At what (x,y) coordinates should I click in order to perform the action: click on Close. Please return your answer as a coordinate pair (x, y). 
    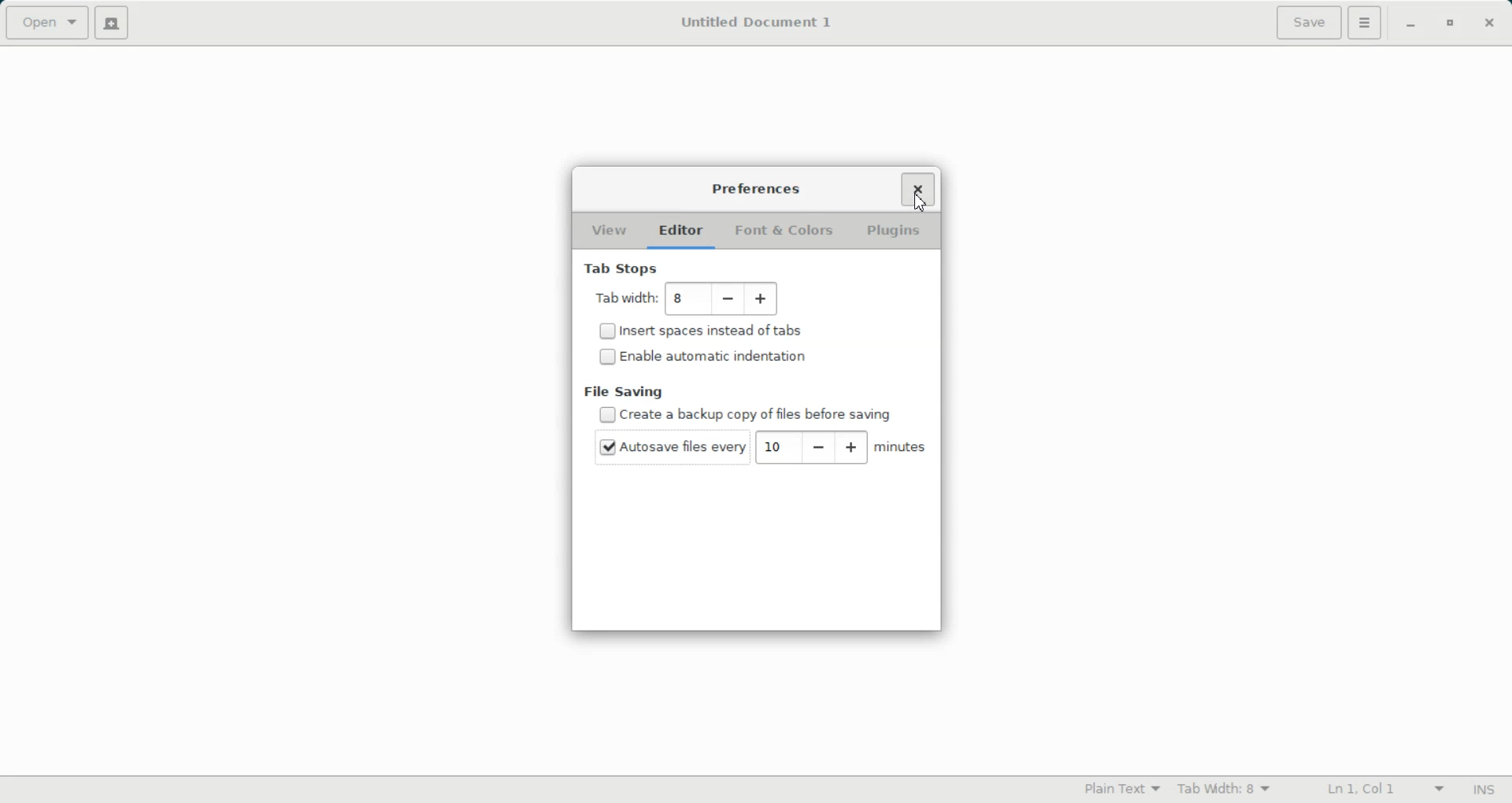
    Looking at the image, I should click on (1488, 23).